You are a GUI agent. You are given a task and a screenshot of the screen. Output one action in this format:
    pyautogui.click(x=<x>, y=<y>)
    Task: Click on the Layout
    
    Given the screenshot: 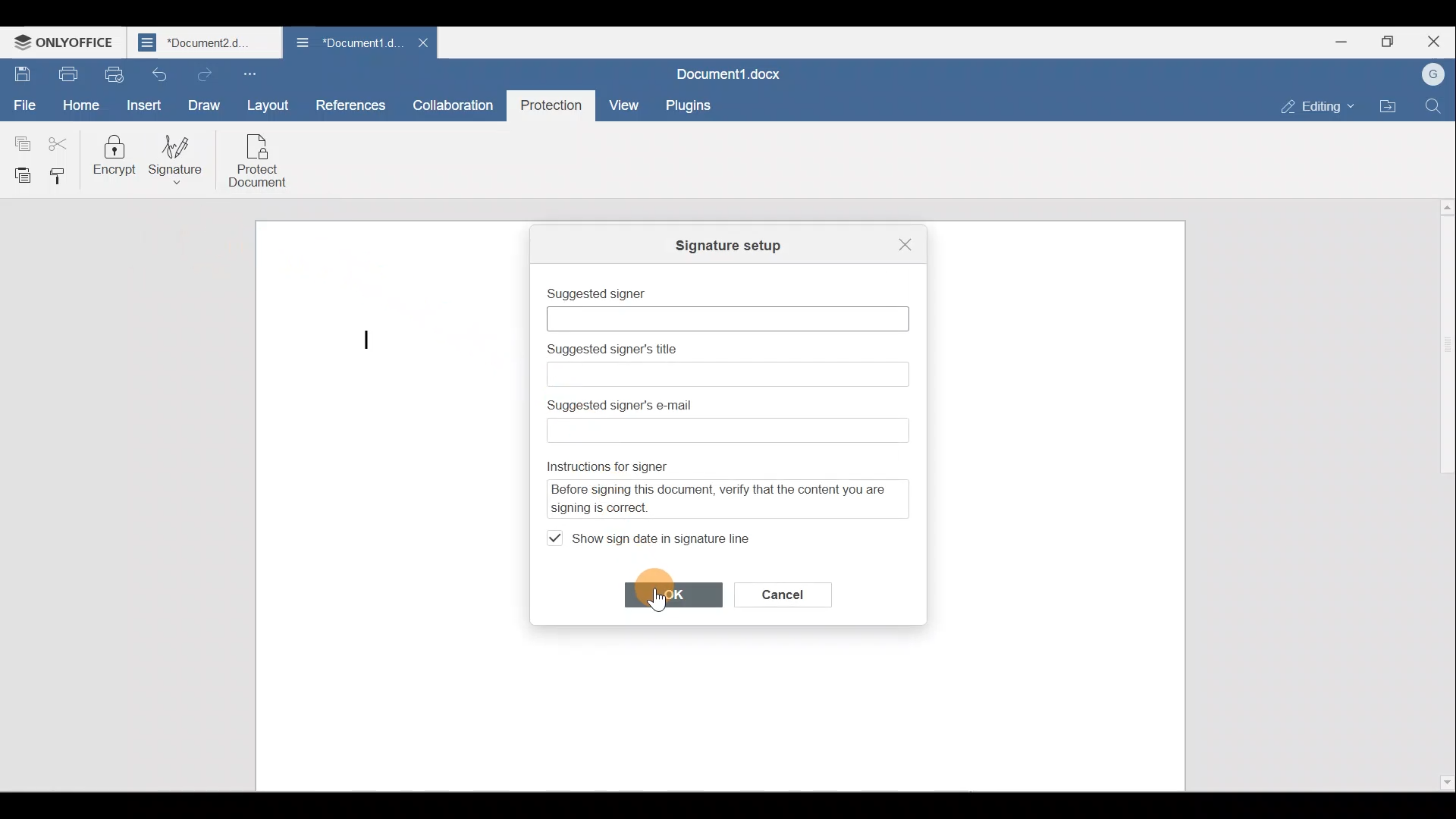 What is the action you would take?
    pyautogui.click(x=265, y=102)
    